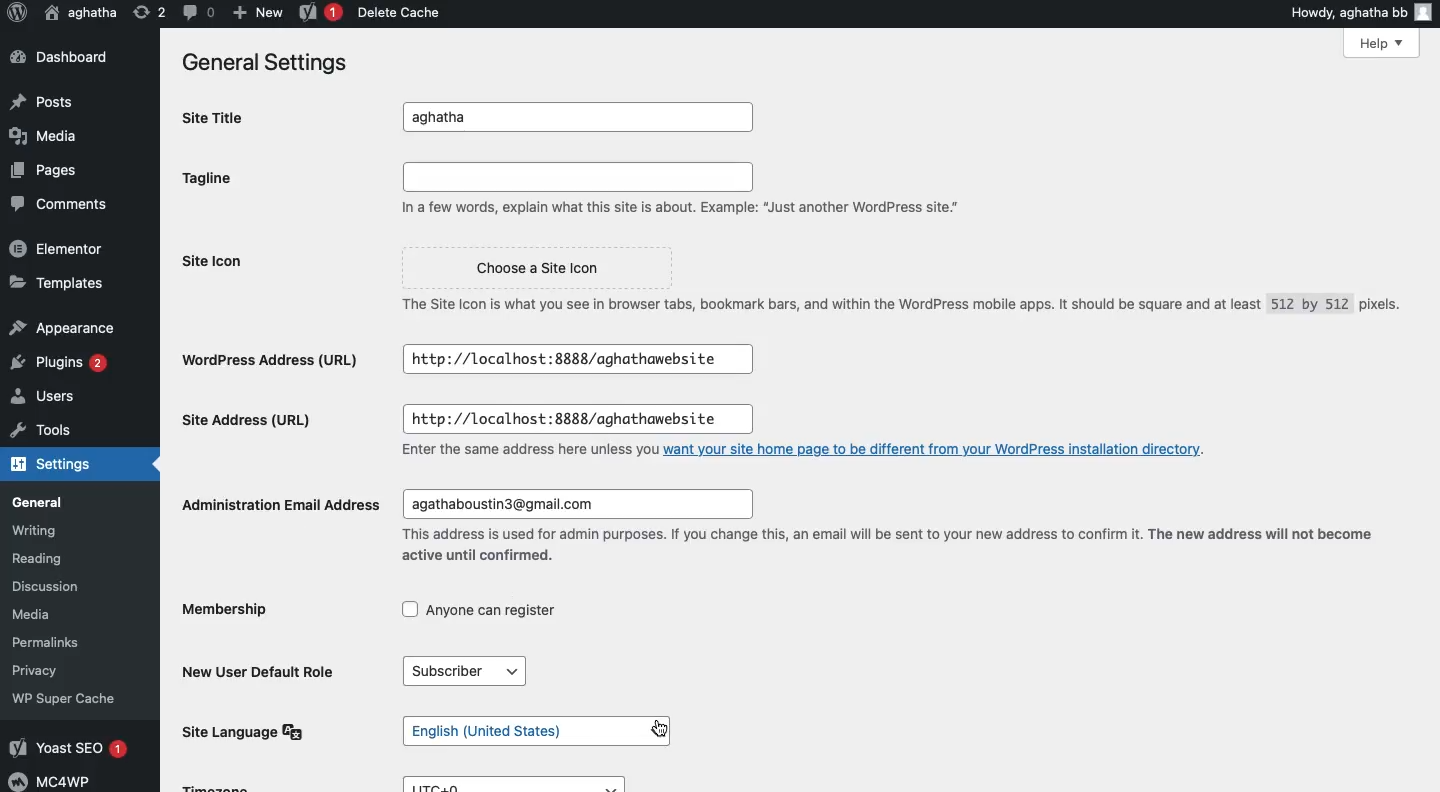 The height and width of the screenshot is (792, 1440). I want to click on Plugins, so click(63, 363).